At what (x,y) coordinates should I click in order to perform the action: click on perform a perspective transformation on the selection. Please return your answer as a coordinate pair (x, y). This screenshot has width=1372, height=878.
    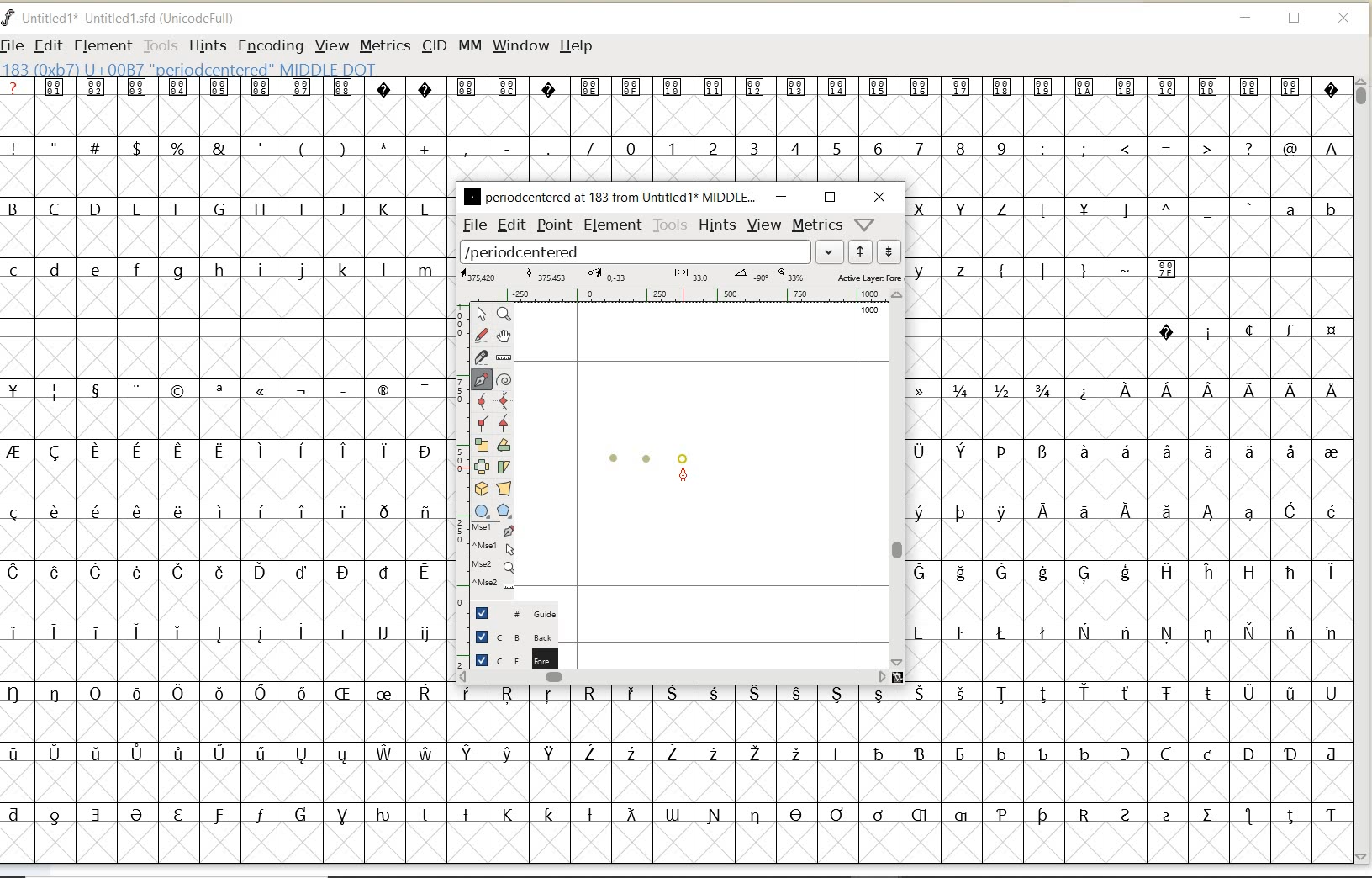
    Looking at the image, I should click on (504, 489).